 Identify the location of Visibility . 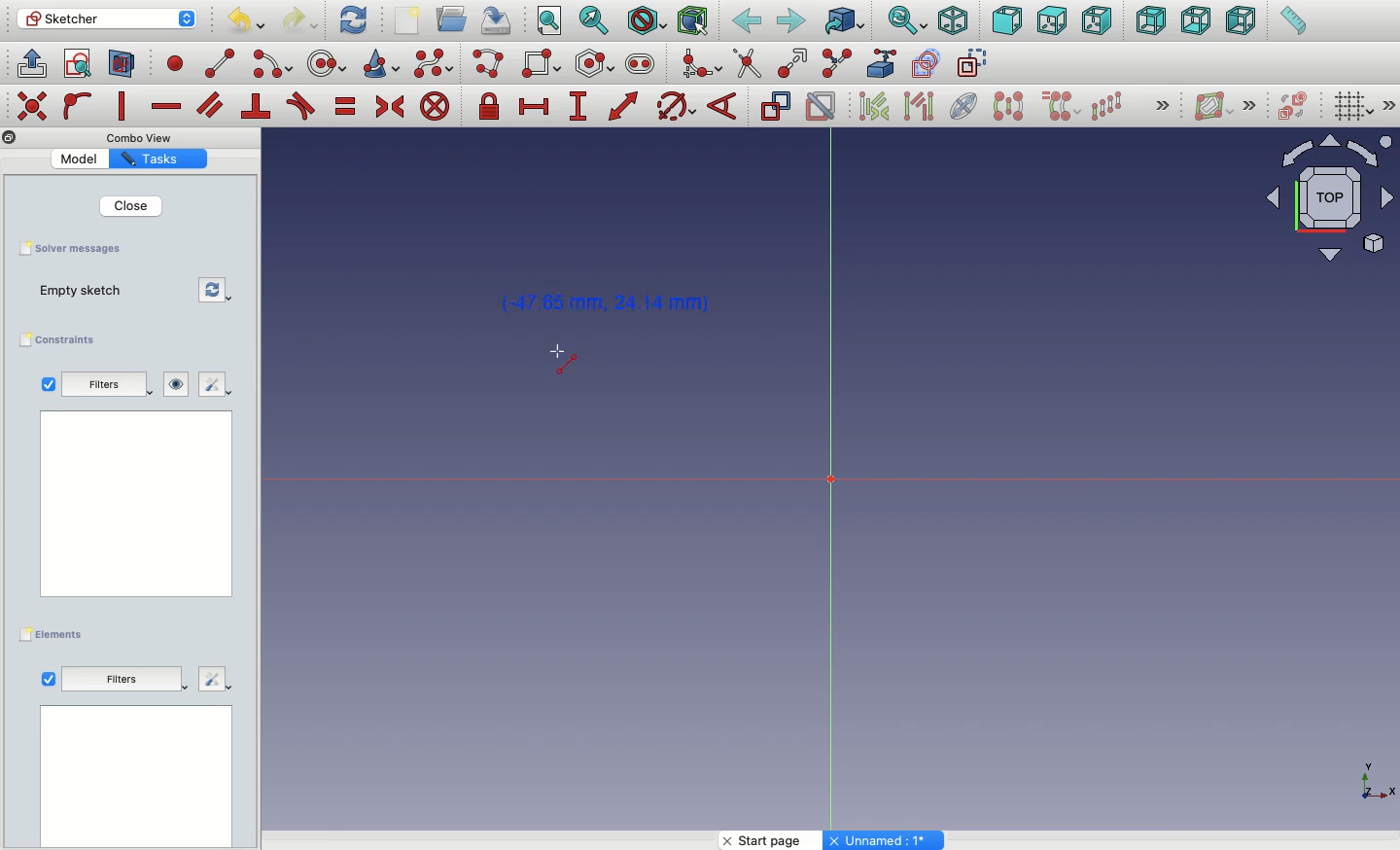
(177, 382).